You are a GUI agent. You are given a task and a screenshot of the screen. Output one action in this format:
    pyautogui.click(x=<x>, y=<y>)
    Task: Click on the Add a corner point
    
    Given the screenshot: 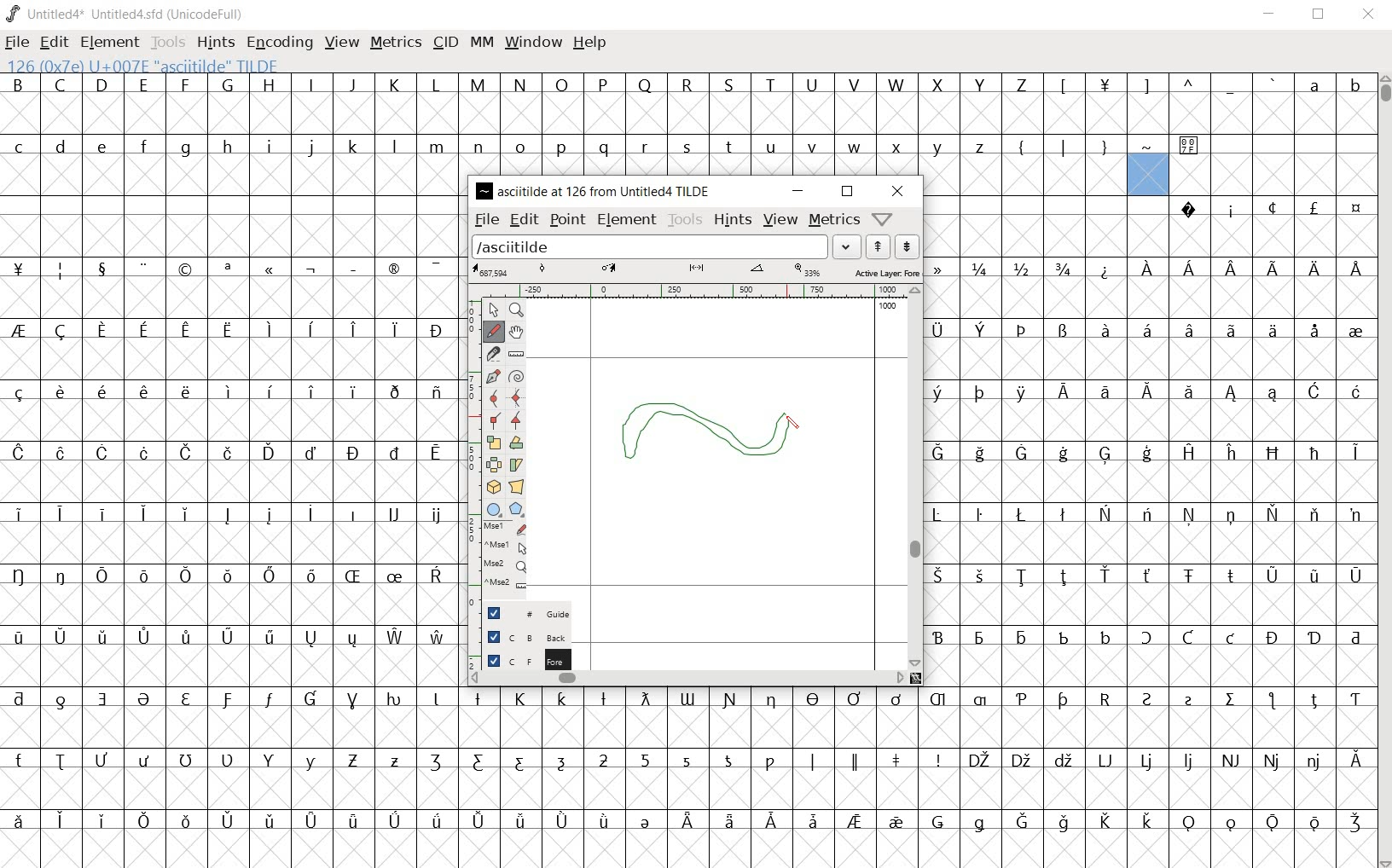 What is the action you would take?
    pyautogui.click(x=494, y=419)
    